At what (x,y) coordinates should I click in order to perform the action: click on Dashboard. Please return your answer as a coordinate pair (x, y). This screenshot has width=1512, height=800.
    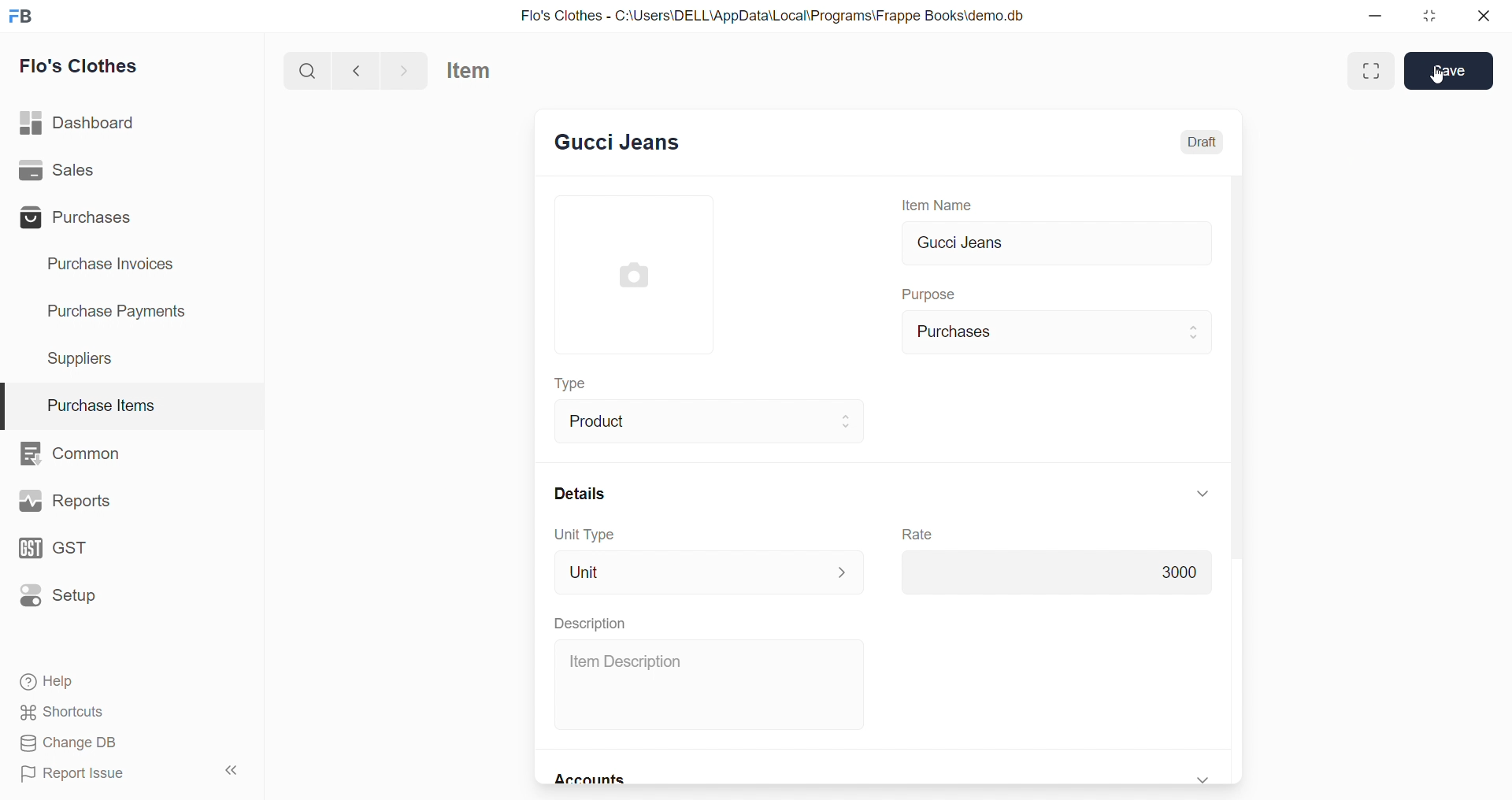
    Looking at the image, I should click on (84, 120).